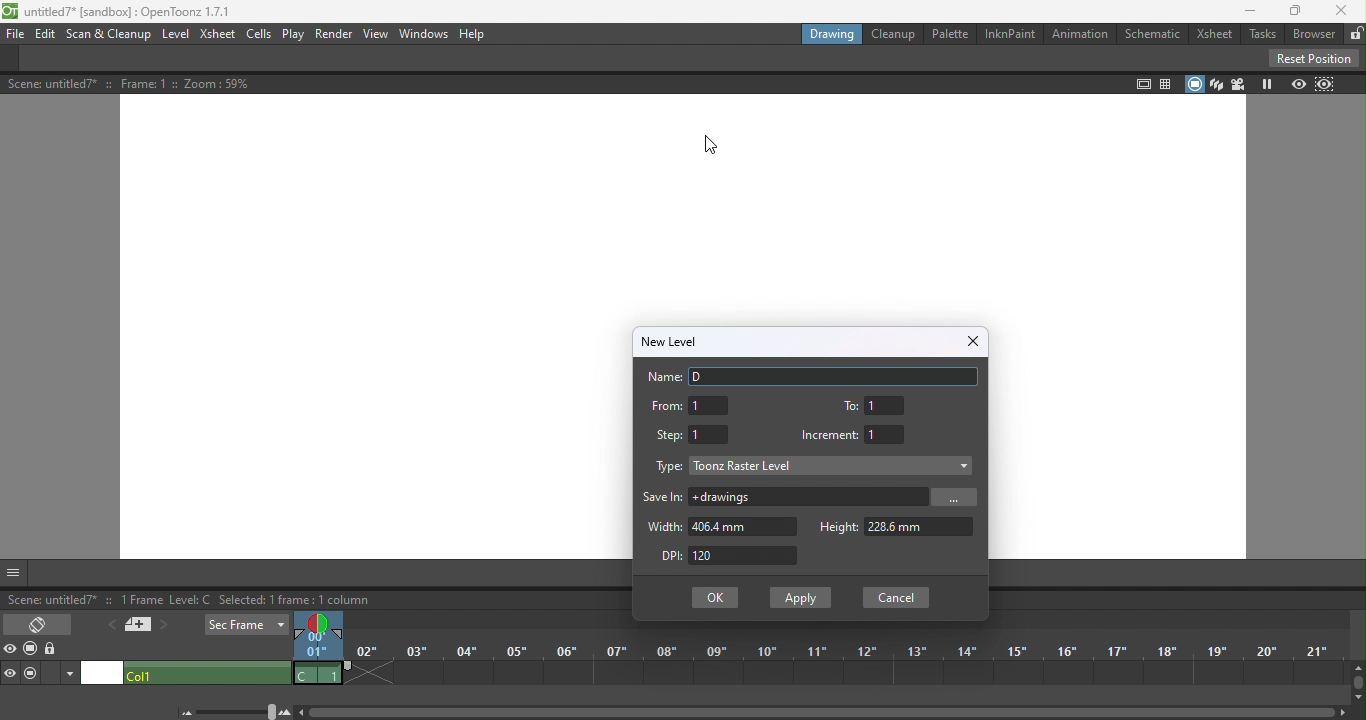 This screenshot has width=1366, height=720. What do you see at coordinates (185, 712) in the screenshot?
I see `Zoom out` at bounding box center [185, 712].